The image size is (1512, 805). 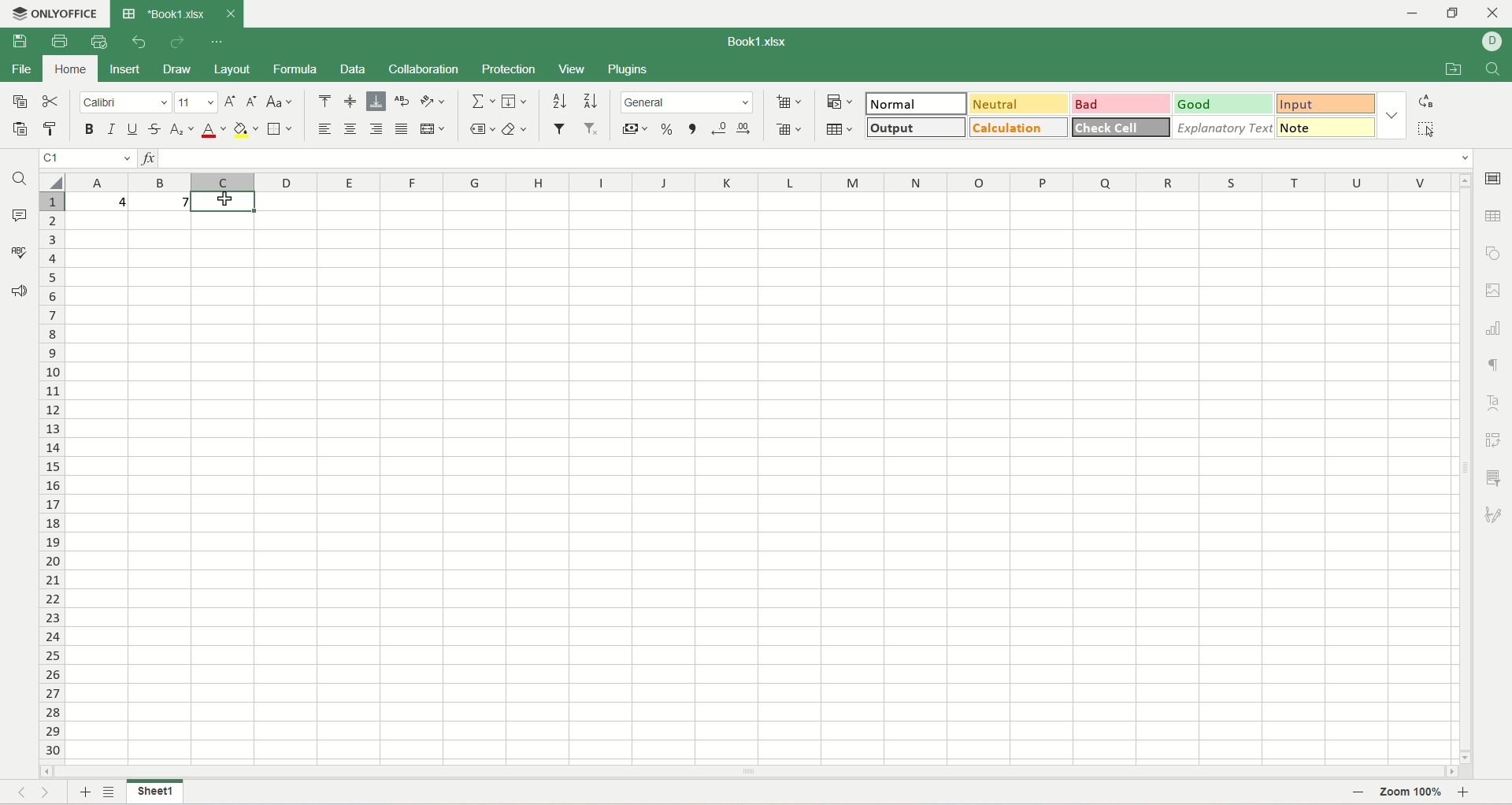 What do you see at coordinates (281, 128) in the screenshot?
I see `border` at bounding box center [281, 128].